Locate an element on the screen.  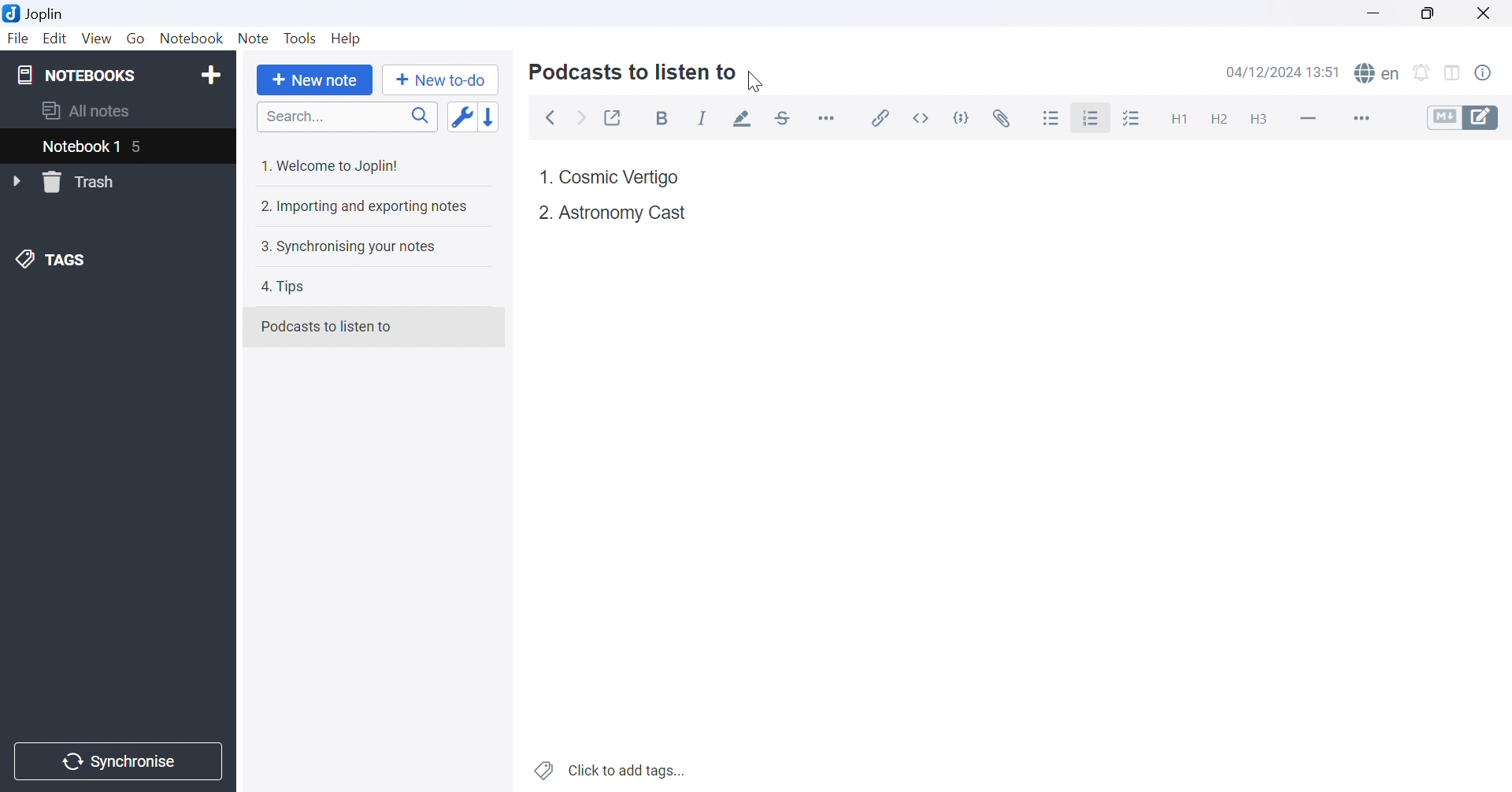
Notebook 1 is located at coordinates (80, 147).